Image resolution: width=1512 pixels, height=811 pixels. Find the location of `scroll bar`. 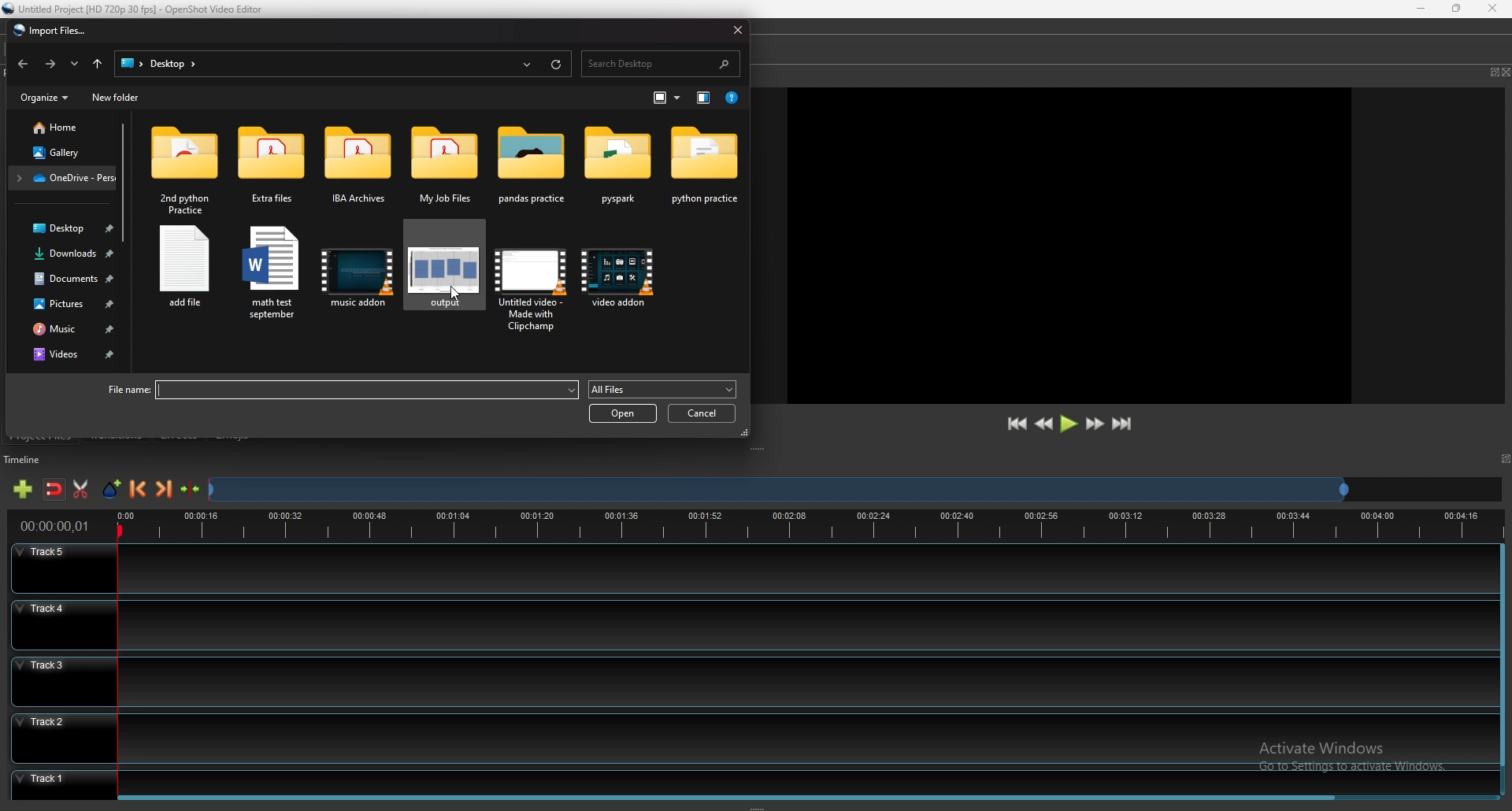

scroll bar is located at coordinates (125, 181).